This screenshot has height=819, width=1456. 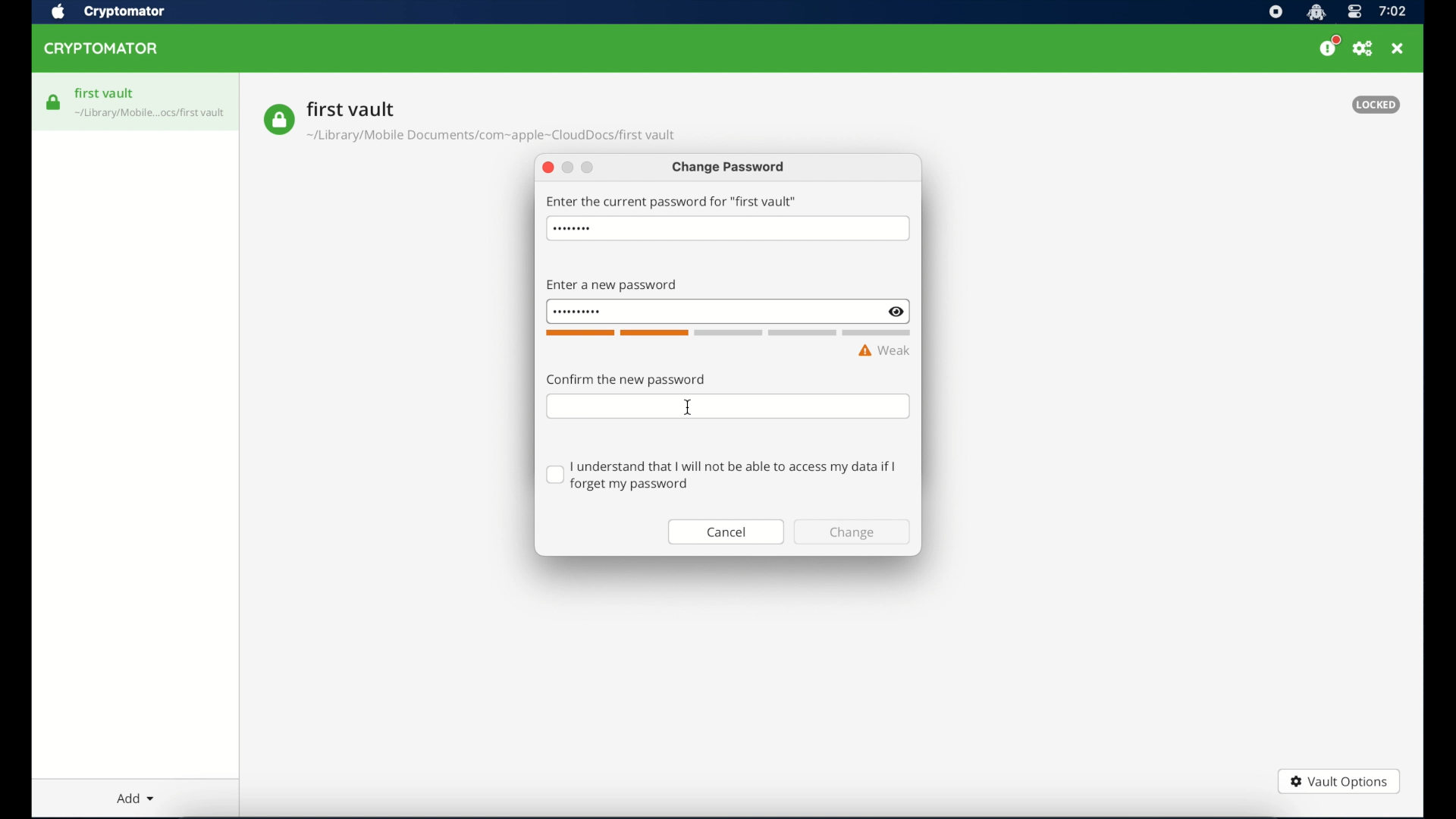 What do you see at coordinates (727, 334) in the screenshot?
I see `word count` at bounding box center [727, 334].